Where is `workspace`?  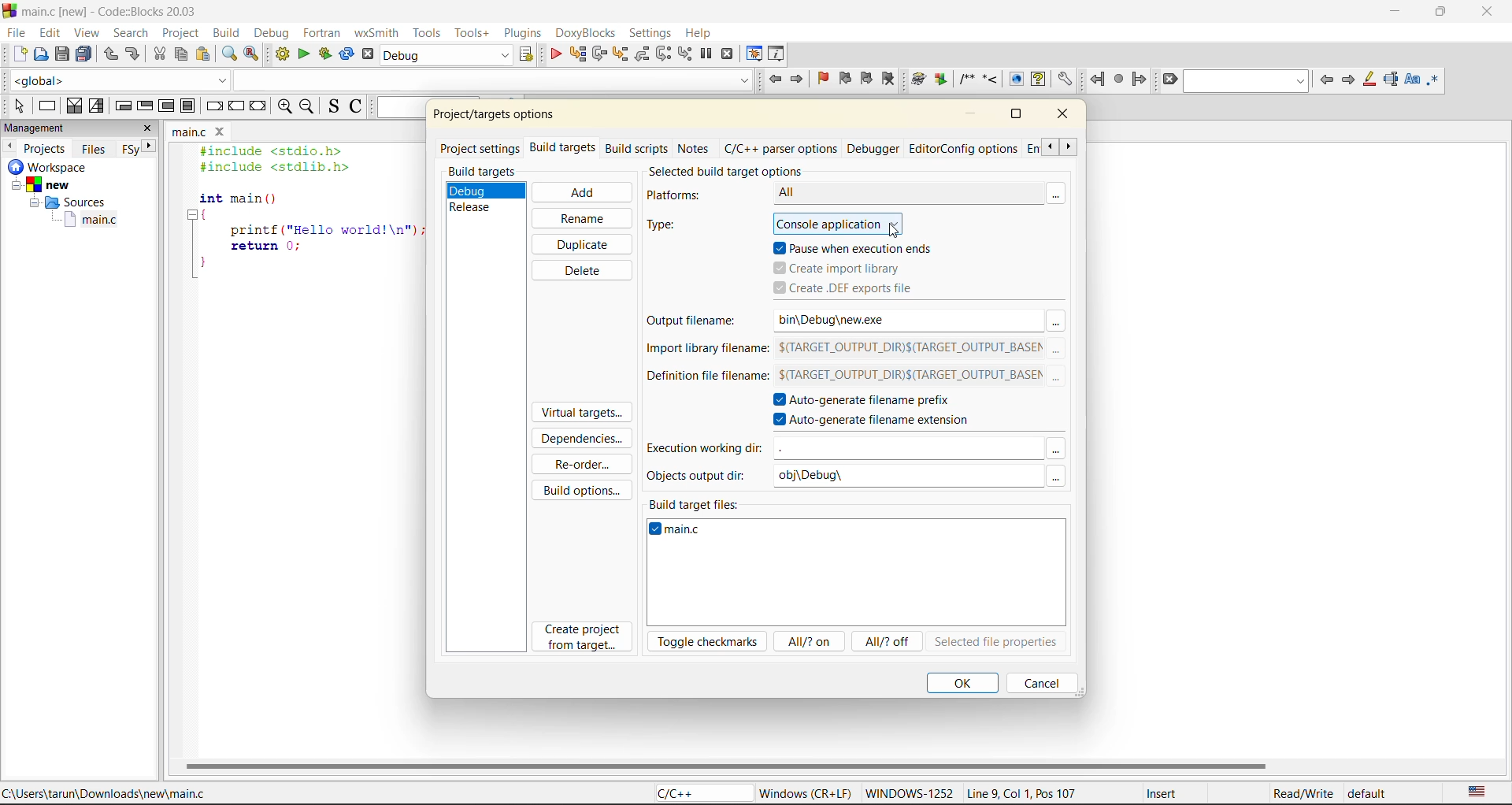
workspace is located at coordinates (66, 167).